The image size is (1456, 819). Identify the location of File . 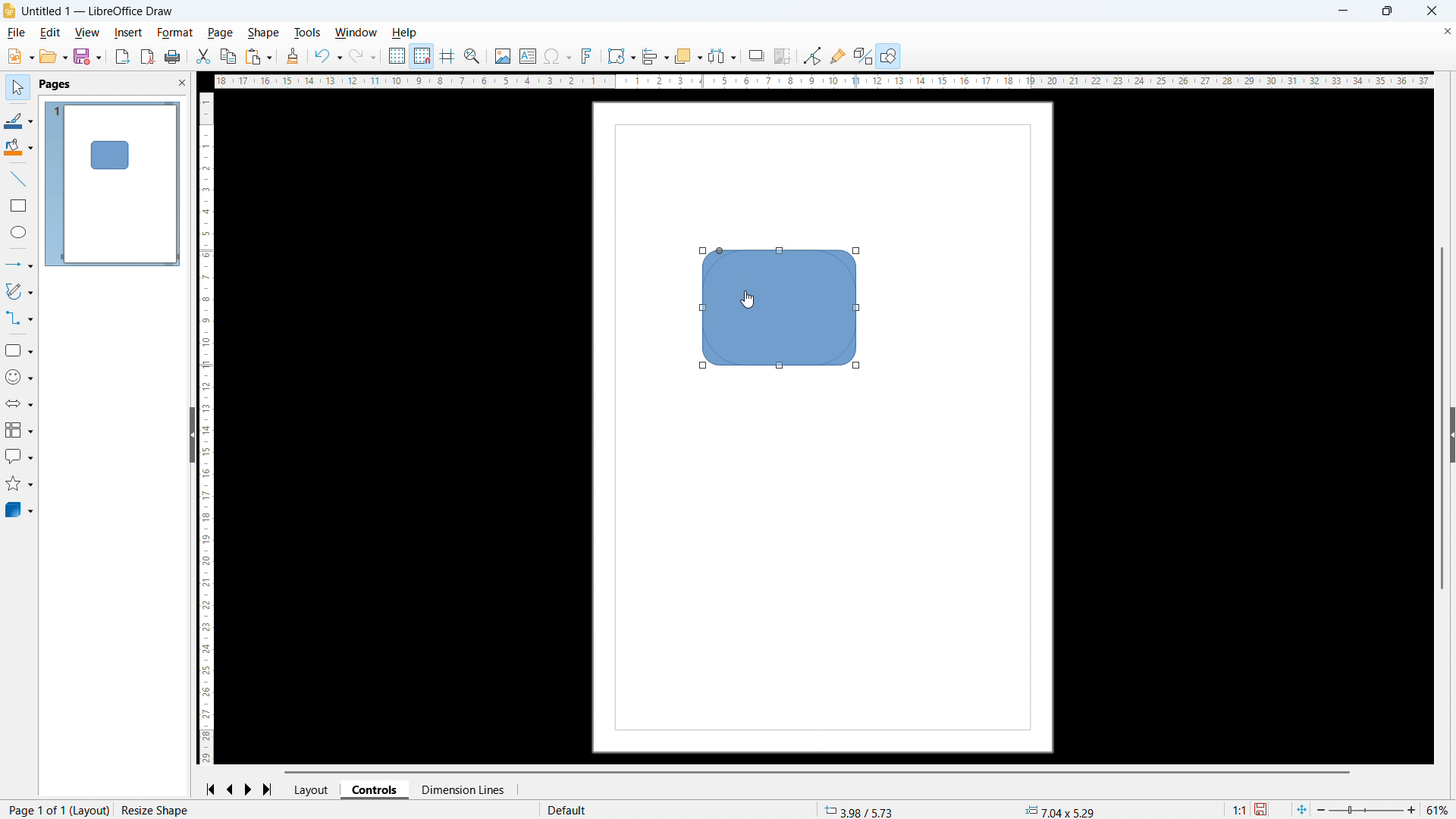
(17, 33).